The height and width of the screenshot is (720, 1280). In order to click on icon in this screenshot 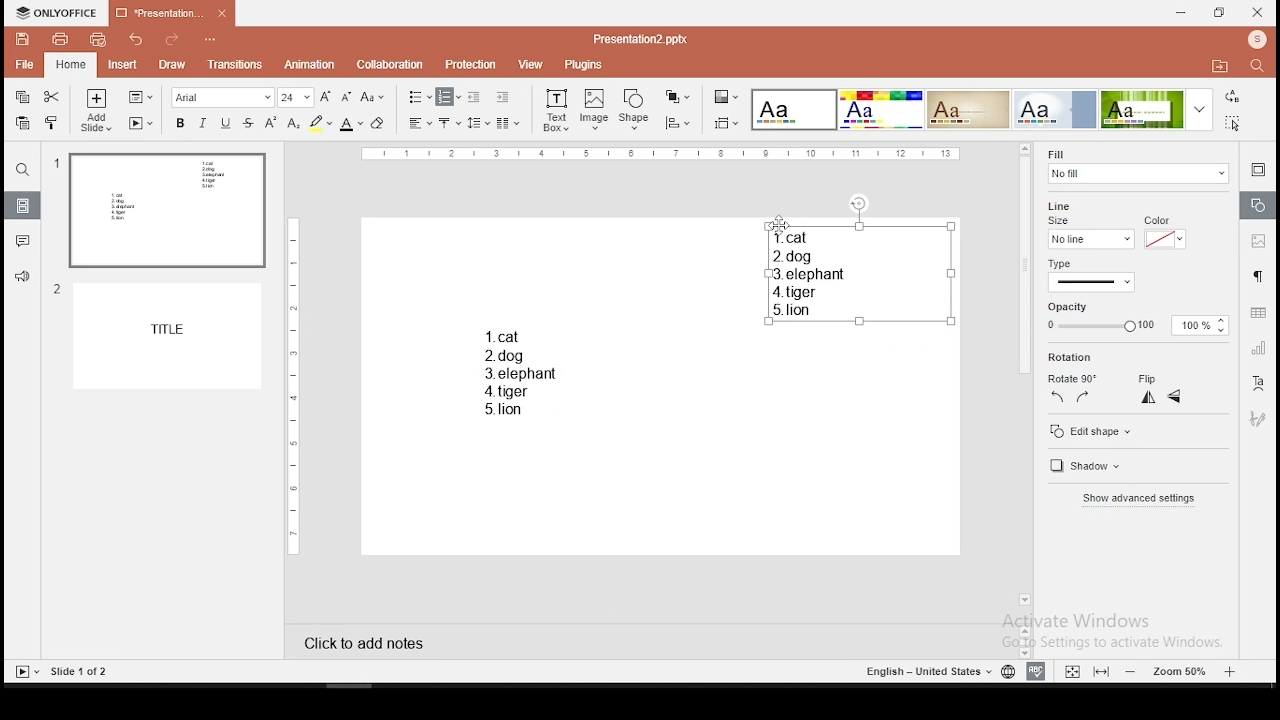, I will do `click(57, 14)`.